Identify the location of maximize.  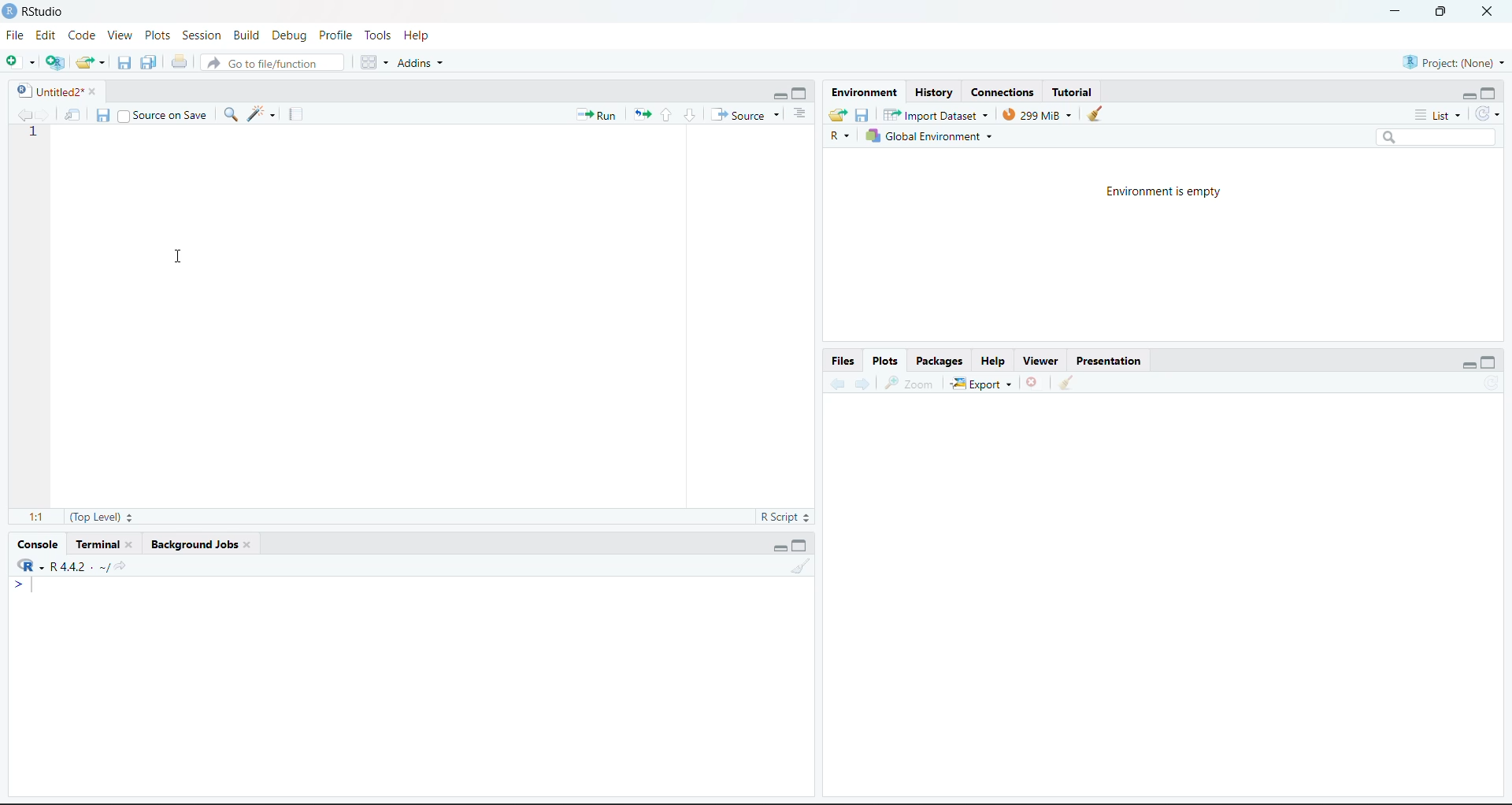
(1443, 11).